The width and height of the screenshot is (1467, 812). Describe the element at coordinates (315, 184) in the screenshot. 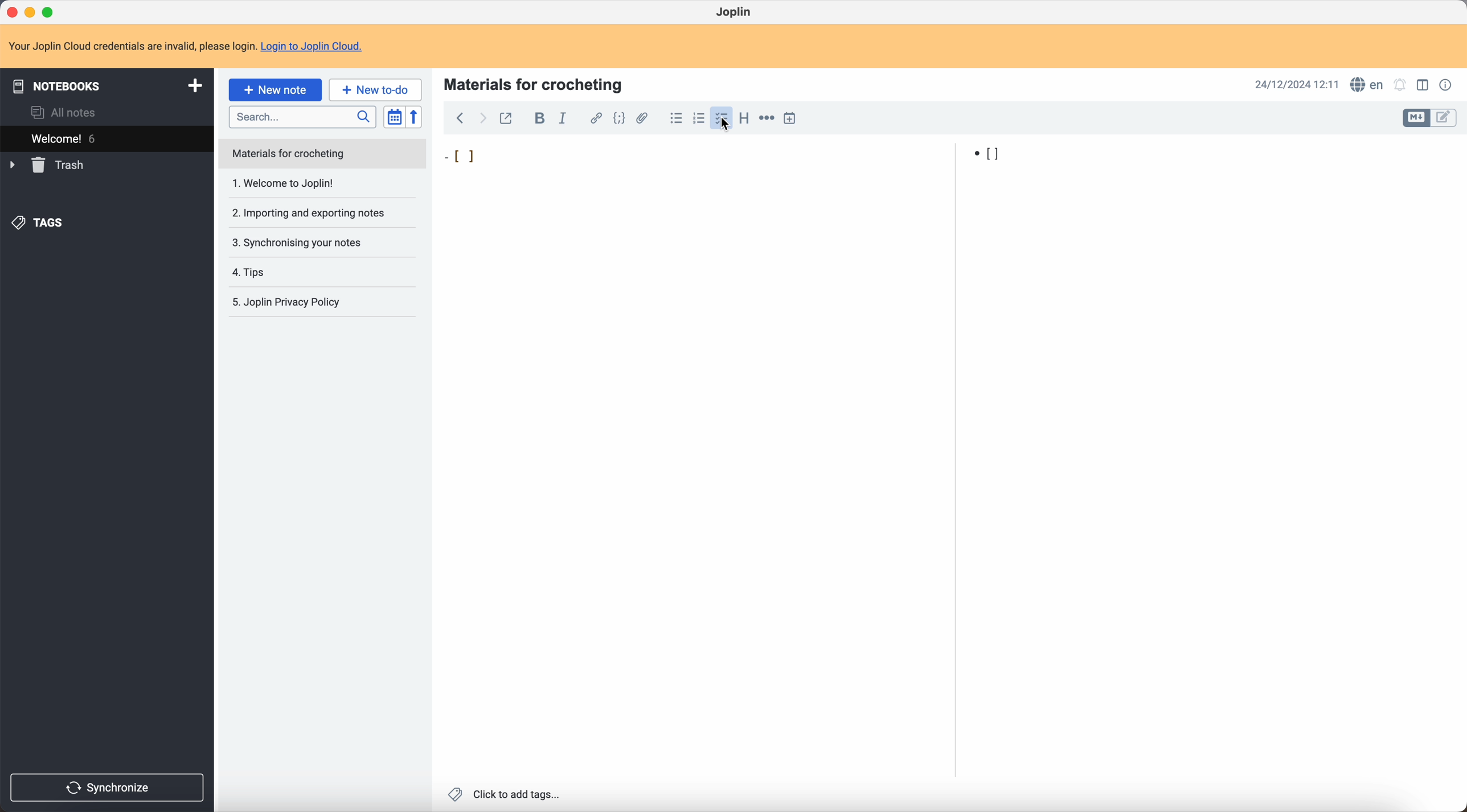

I see `1. Welcome to Joplin!` at that location.